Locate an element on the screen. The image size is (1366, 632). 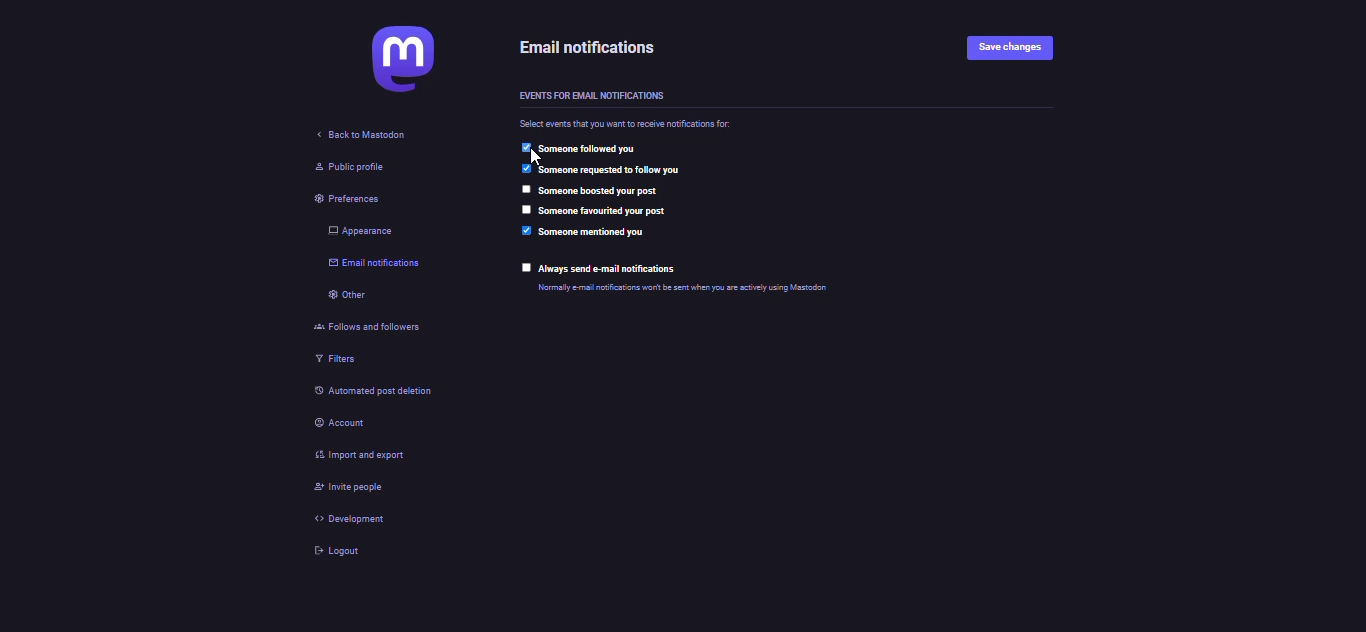
save changes is located at coordinates (1007, 49).